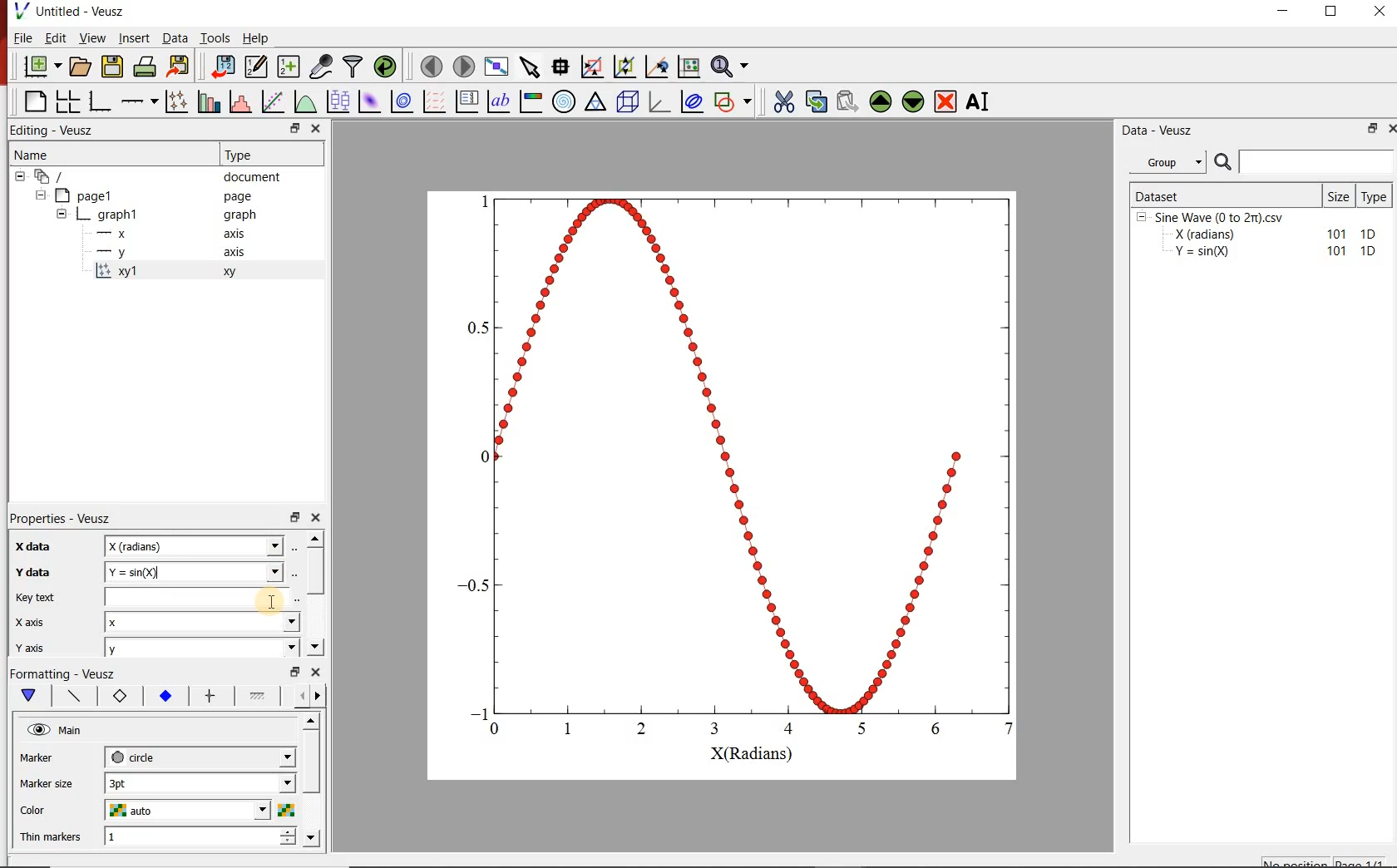 This screenshot has width=1397, height=868. Describe the element at coordinates (657, 64) in the screenshot. I see `click to recentre graph` at that location.